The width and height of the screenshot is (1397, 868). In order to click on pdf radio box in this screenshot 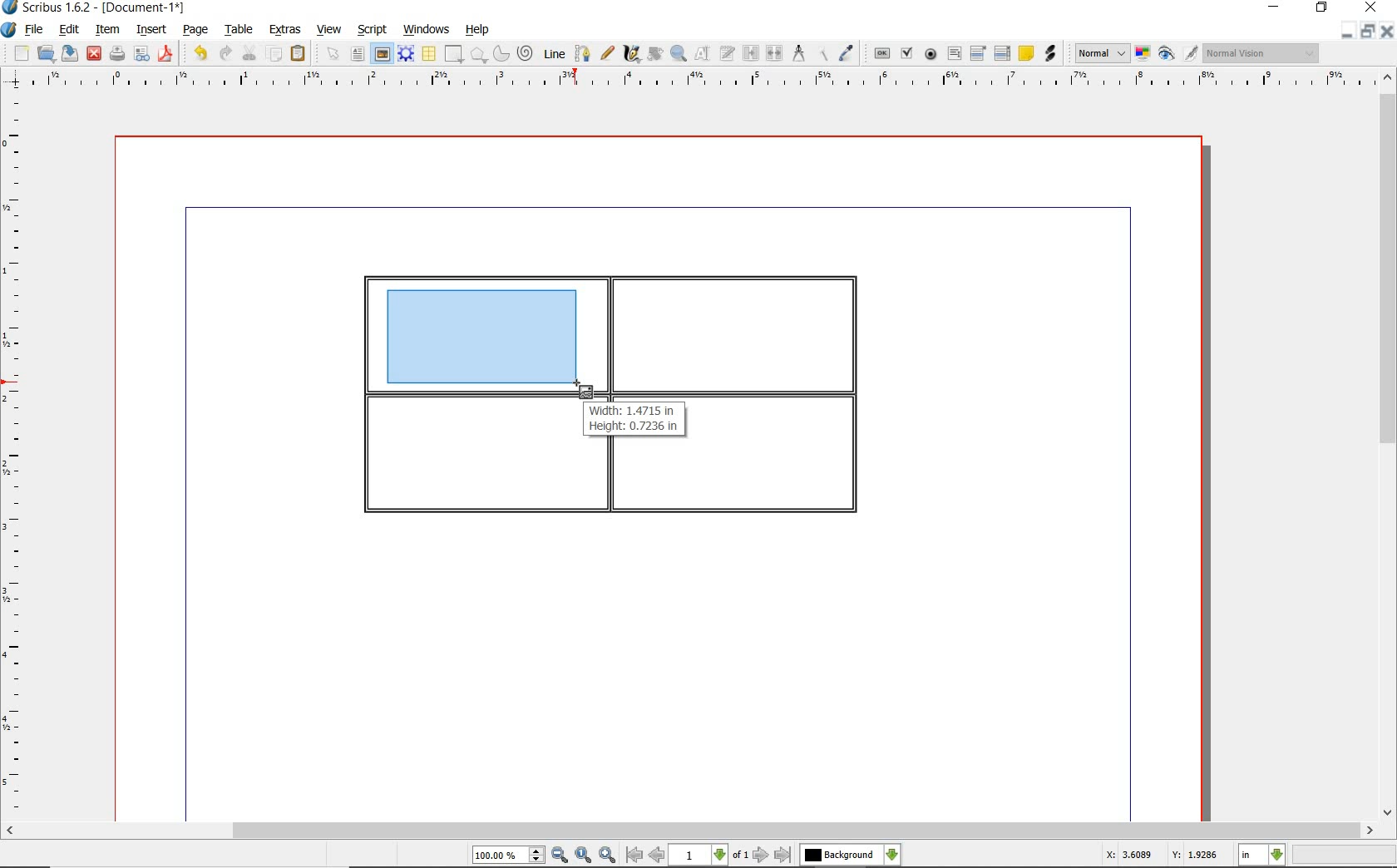, I will do `click(931, 55)`.